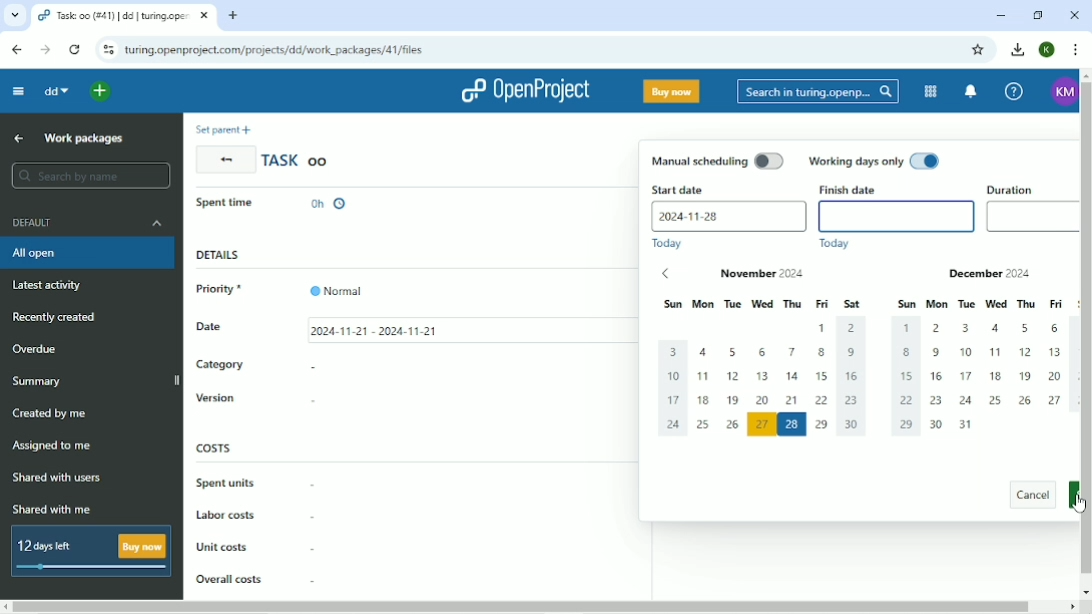 The width and height of the screenshot is (1092, 614). Describe the element at coordinates (53, 413) in the screenshot. I see `Created by me` at that location.